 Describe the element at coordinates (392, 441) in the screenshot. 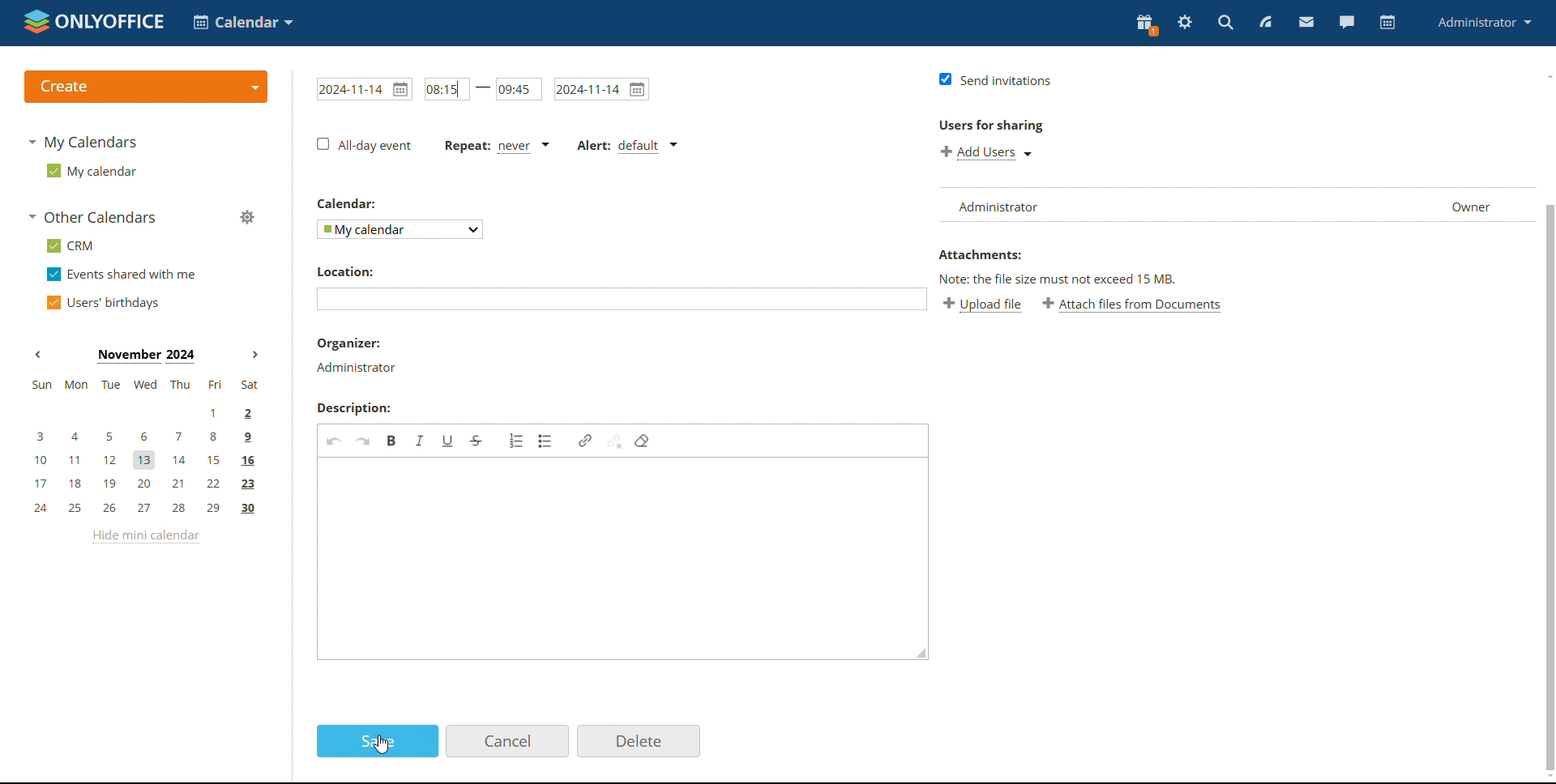

I see `bold` at that location.